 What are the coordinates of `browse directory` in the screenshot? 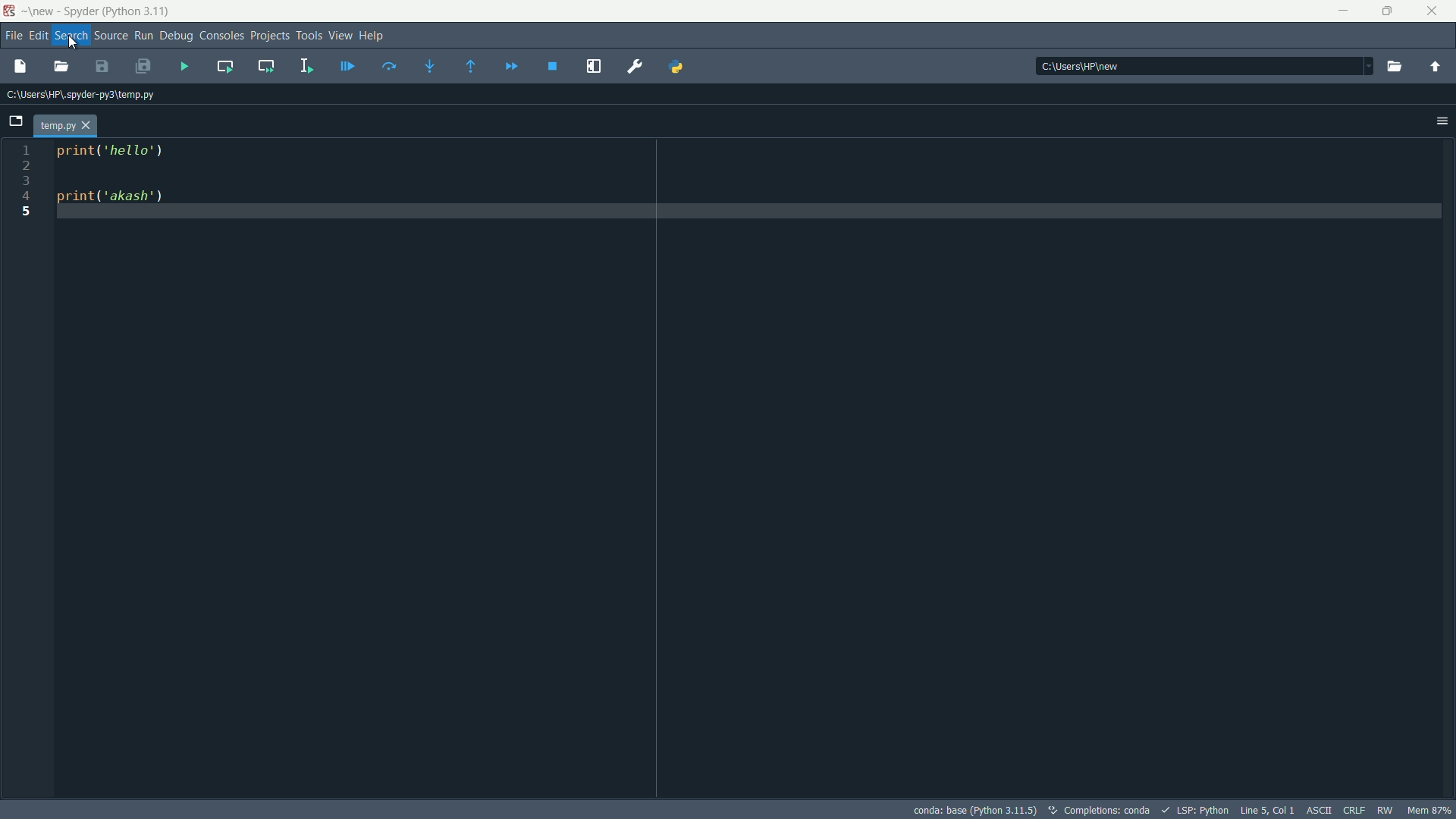 It's located at (1395, 67).